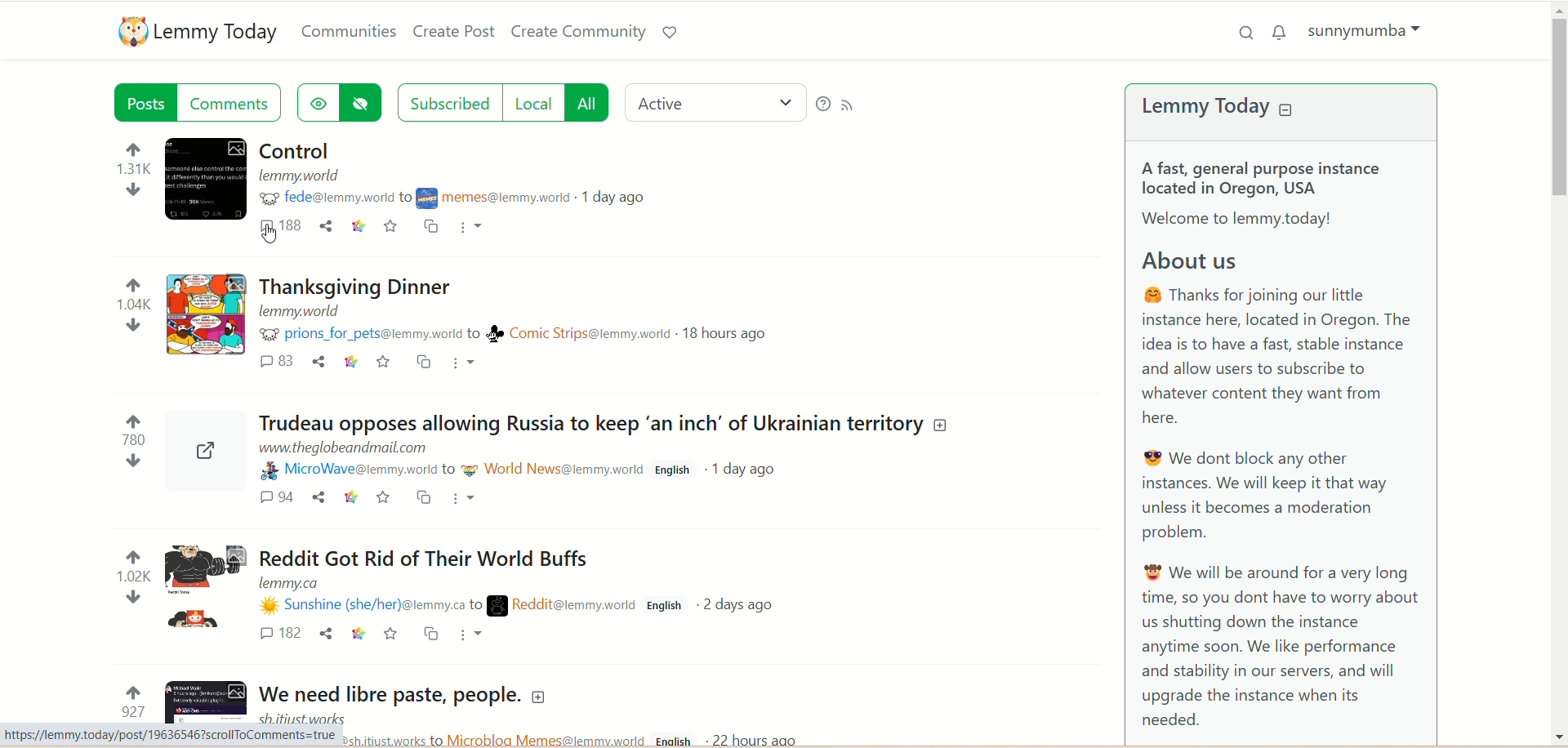 This screenshot has height=748, width=1568. What do you see at coordinates (577, 332) in the screenshot?
I see `community` at bounding box center [577, 332].